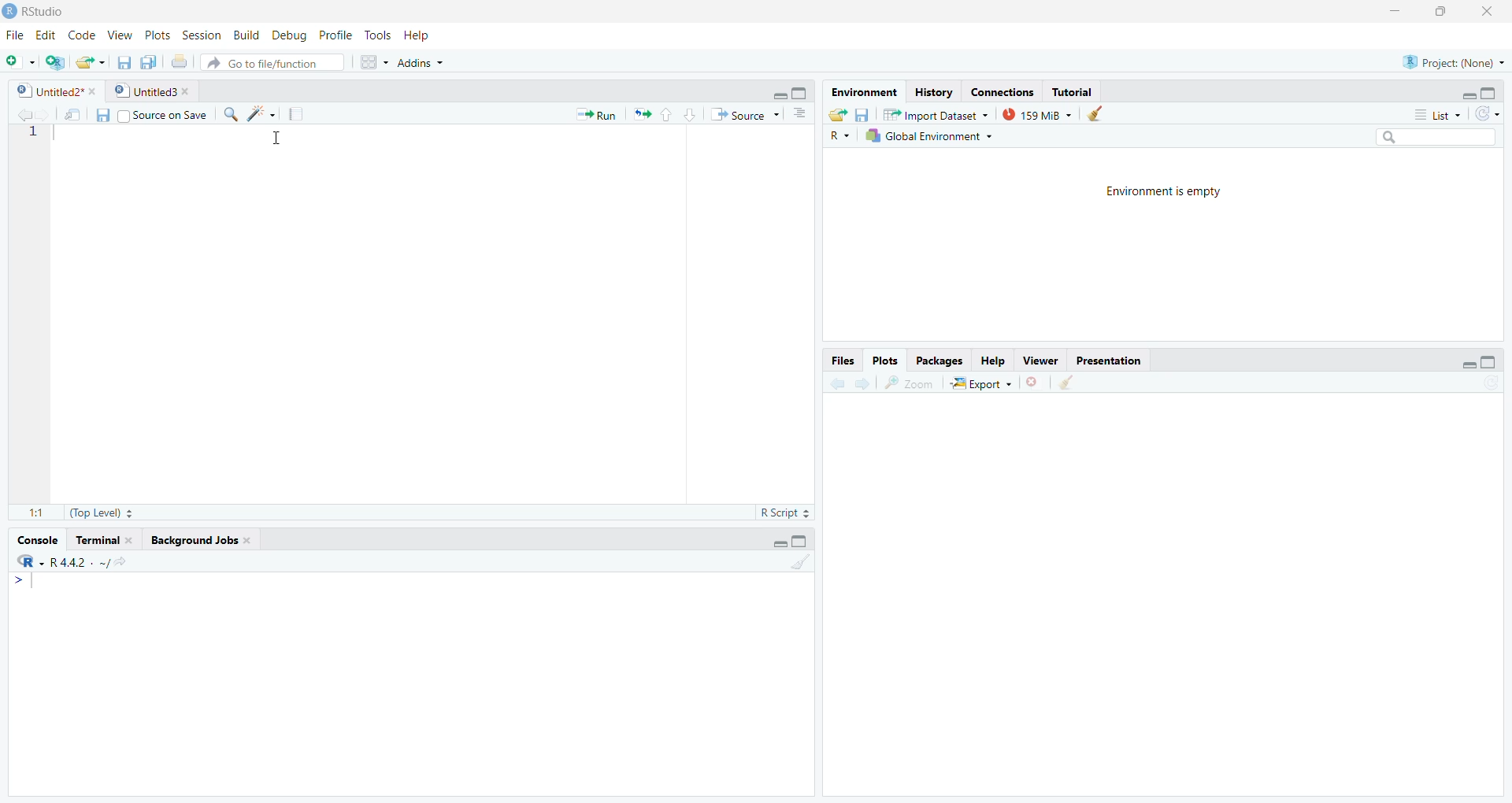  I want to click on Terminal, so click(104, 541).